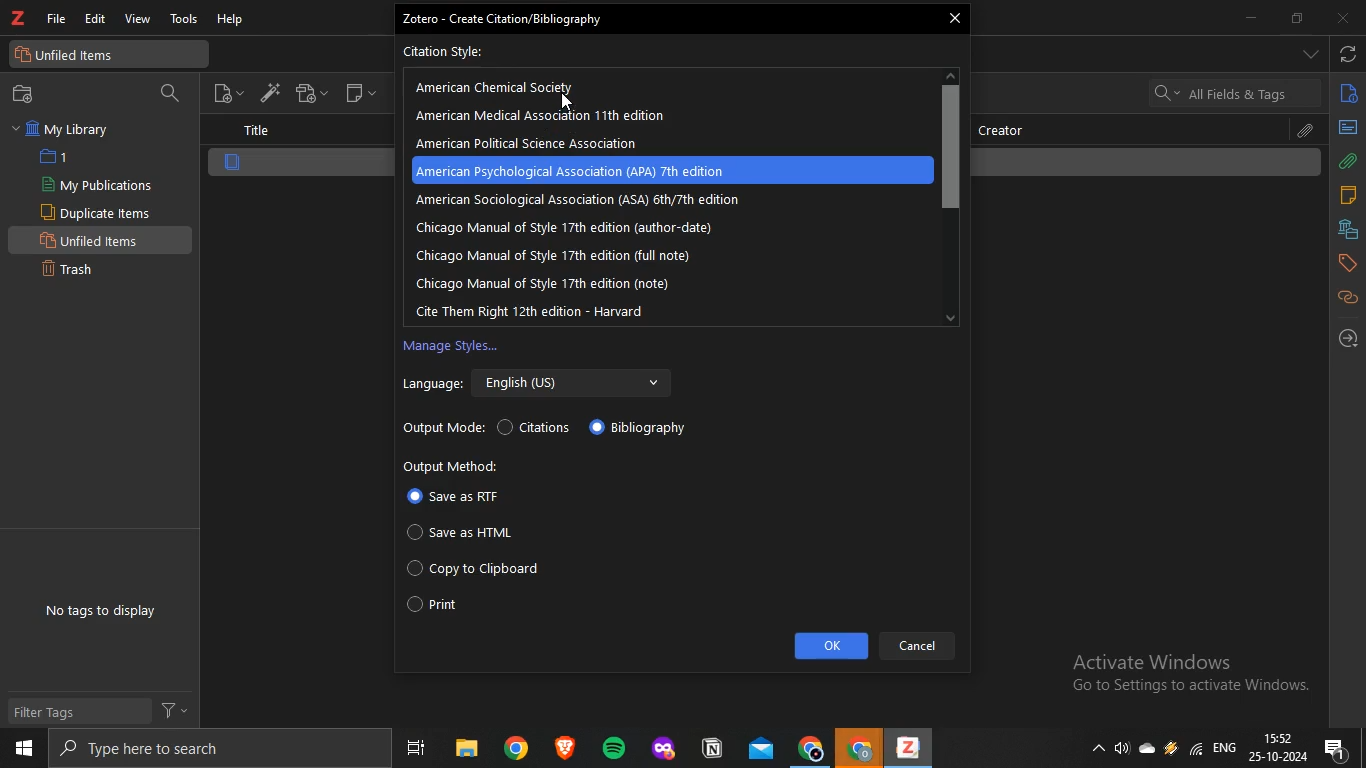 The image size is (1366, 768). Describe the element at coordinates (64, 129) in the screenshot. I see `My Library` at that location.